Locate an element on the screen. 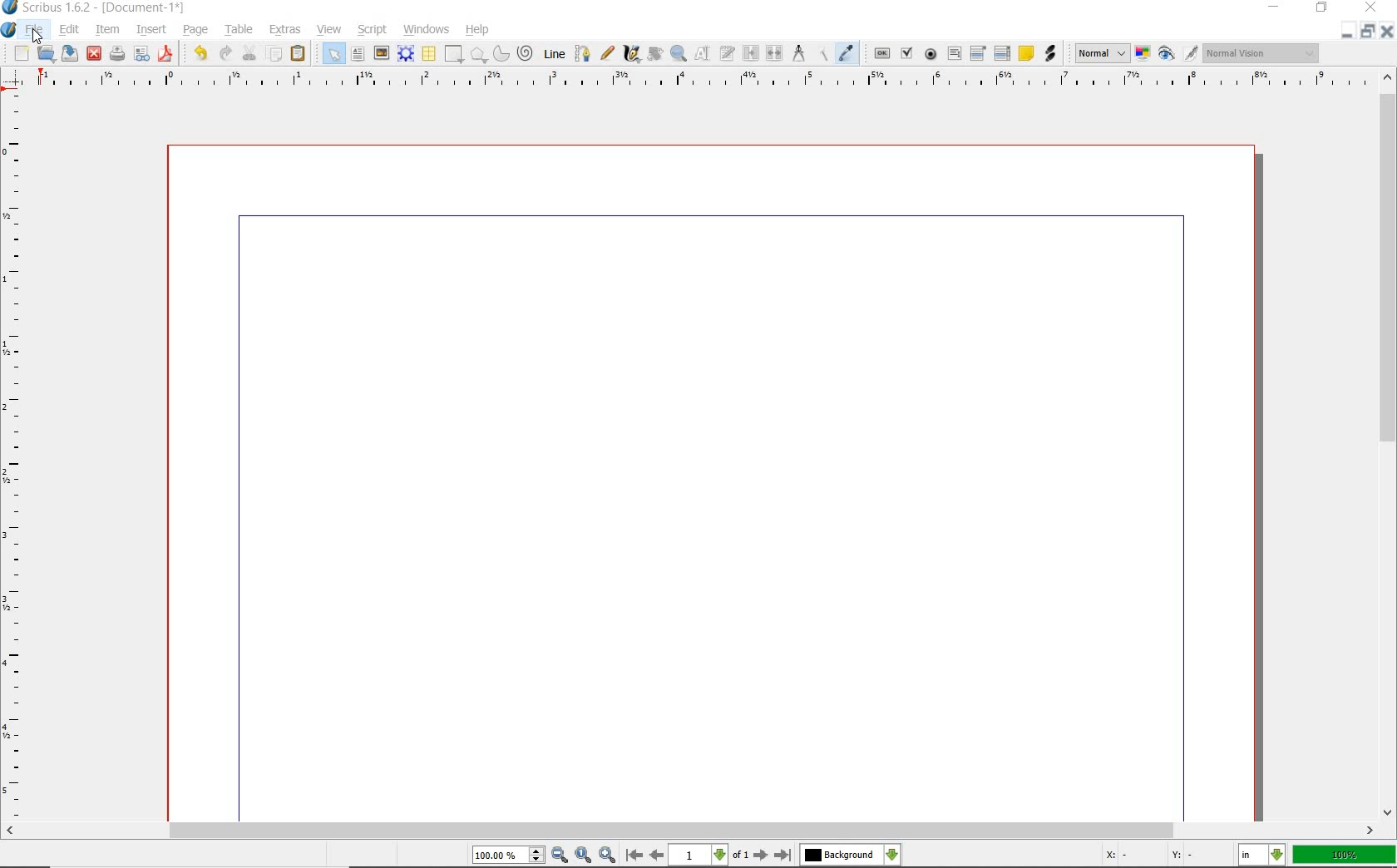  select image preview mode is located at coordinates (1100, 53).